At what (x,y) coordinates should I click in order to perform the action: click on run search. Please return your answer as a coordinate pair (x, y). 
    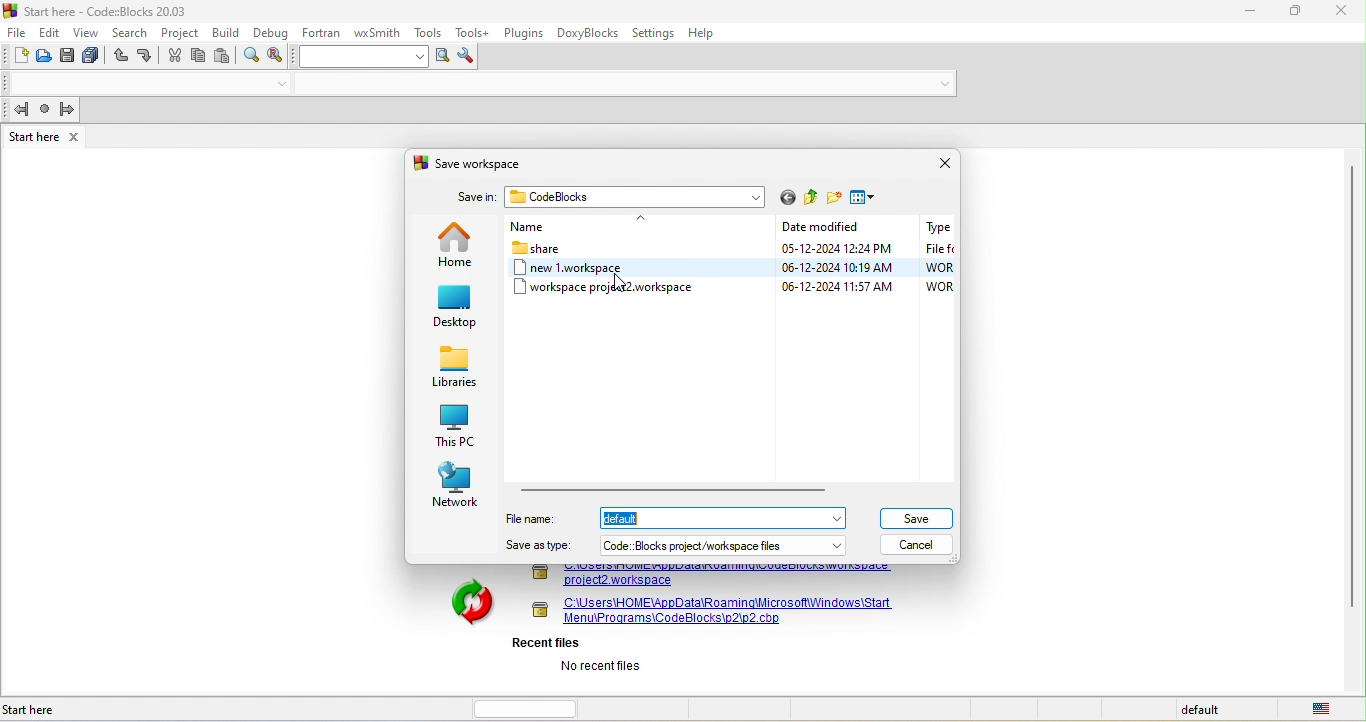
    Looking at the image, I should click on (441, 57).